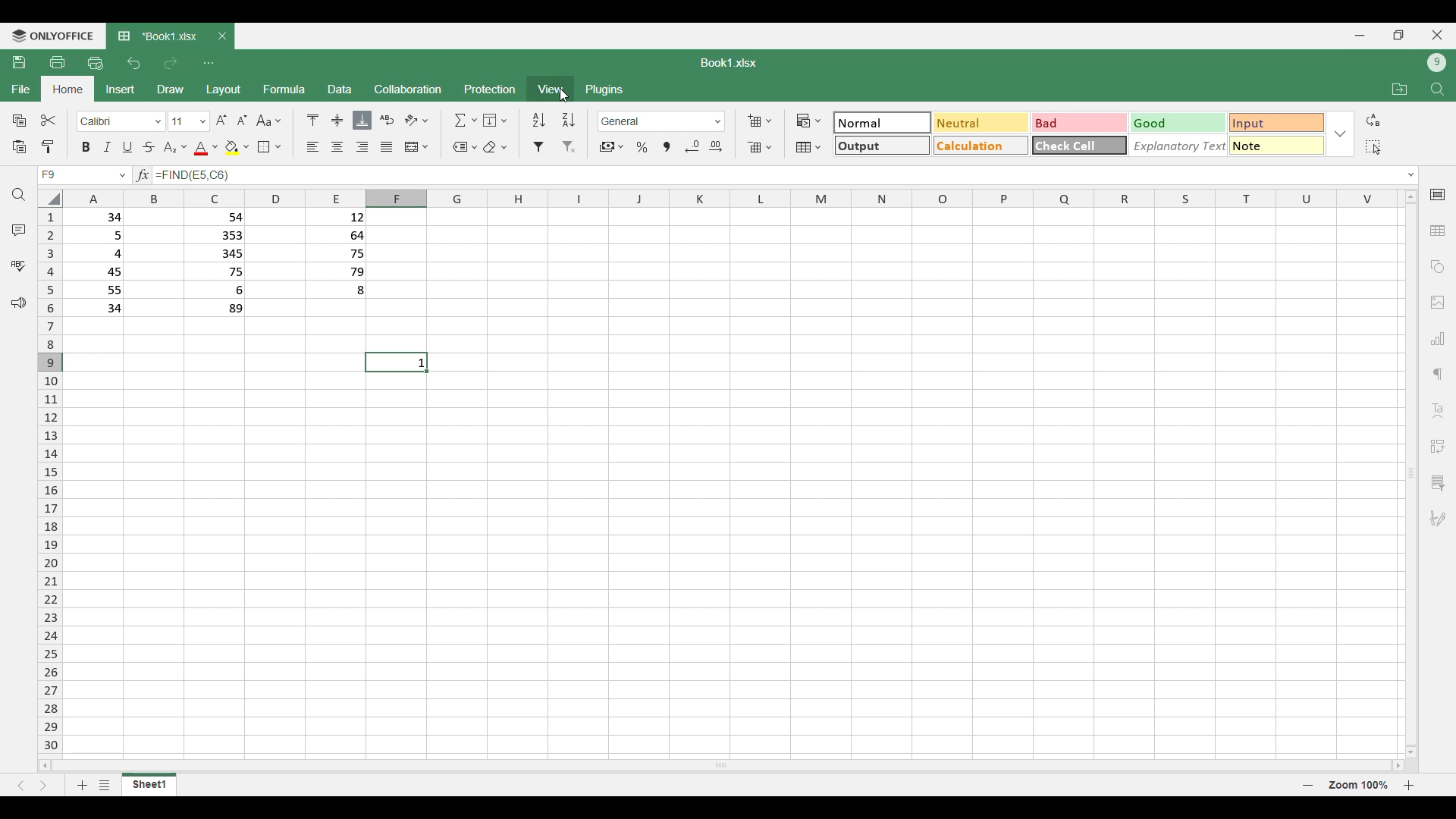 The image size is (1456, 819). I want to click on Calculation cell, so click(982, 146).